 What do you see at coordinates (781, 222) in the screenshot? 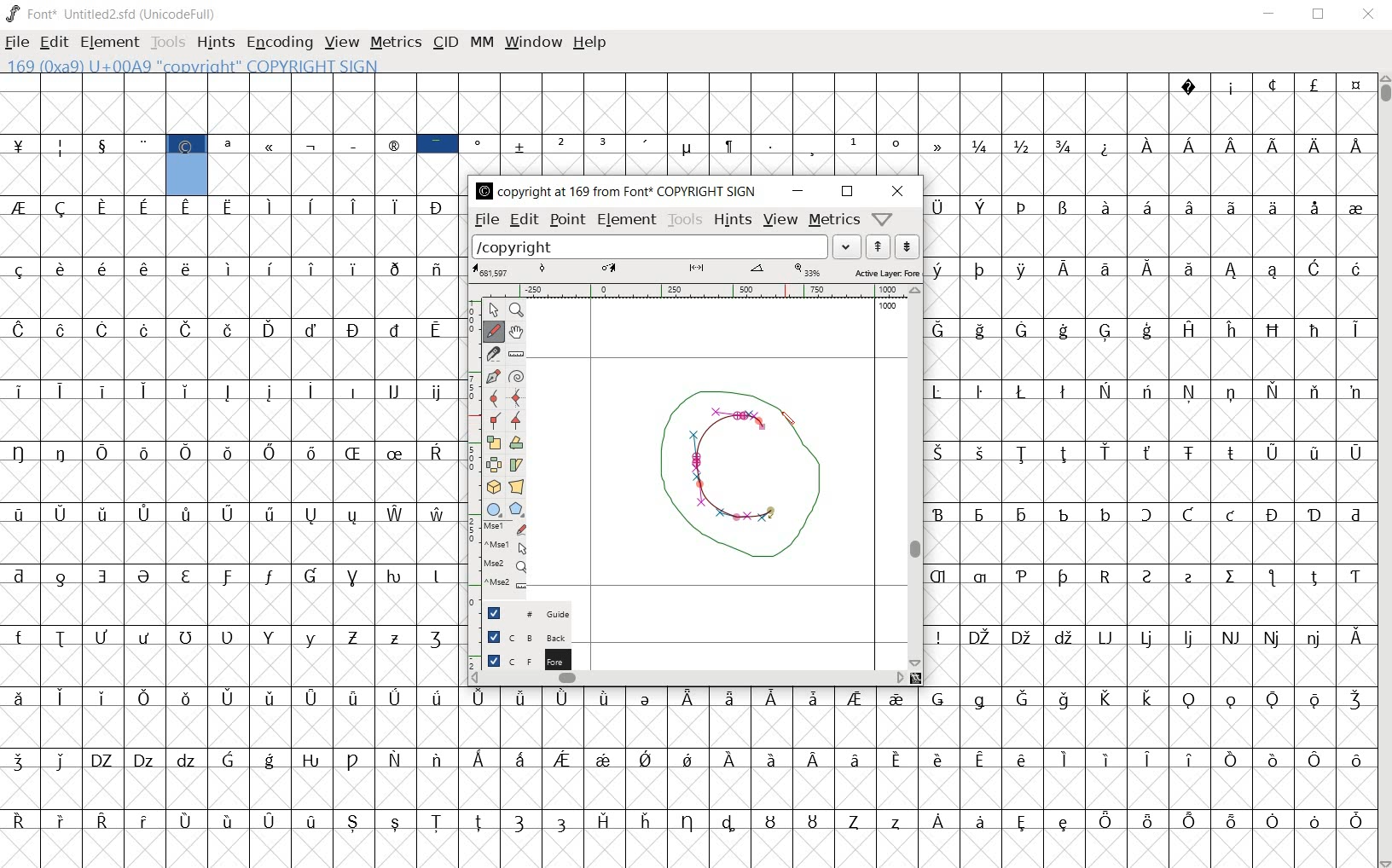
I see `view` at bounding box center [781, 222].